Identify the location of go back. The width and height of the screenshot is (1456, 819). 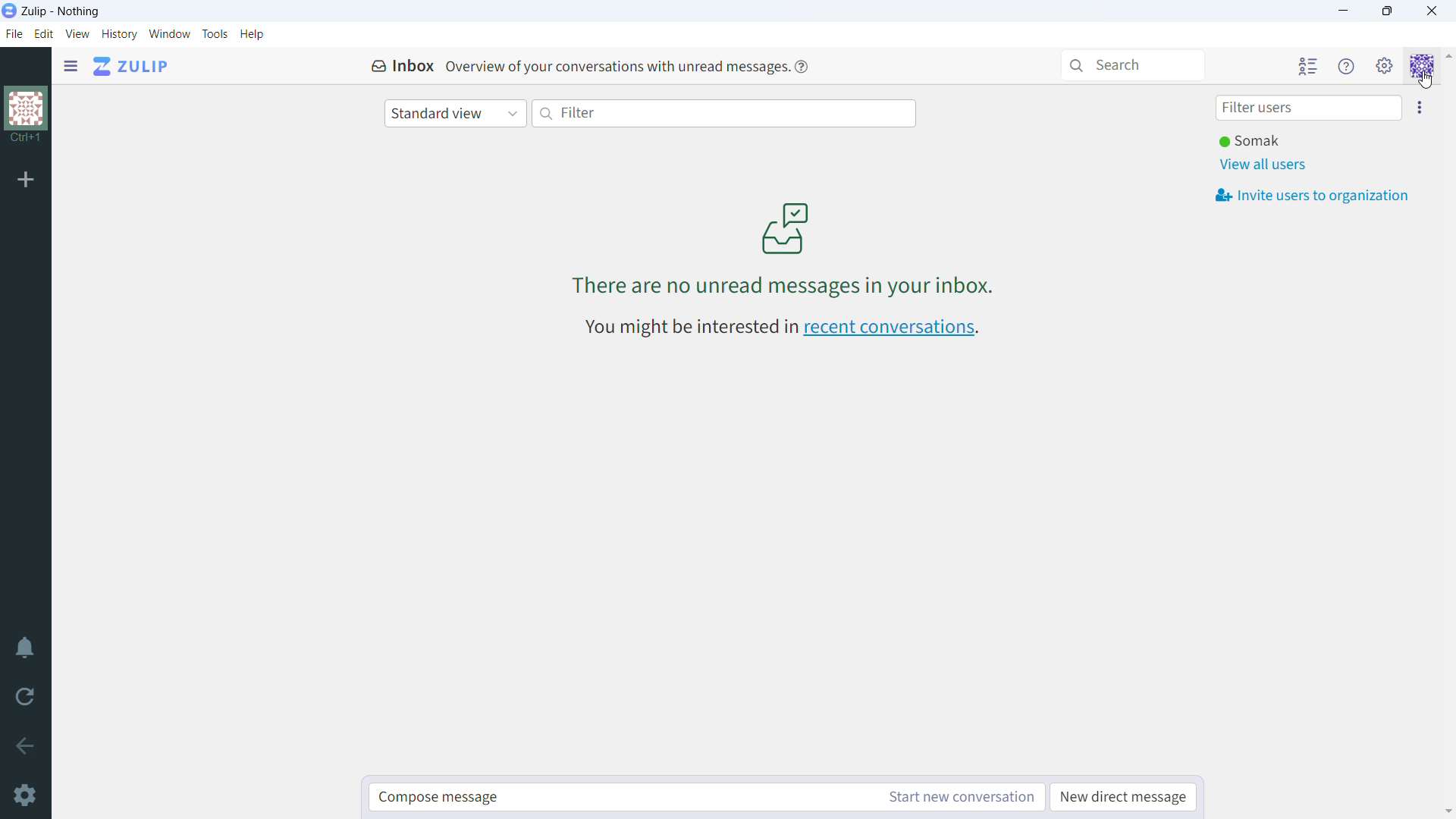
(24, 746).